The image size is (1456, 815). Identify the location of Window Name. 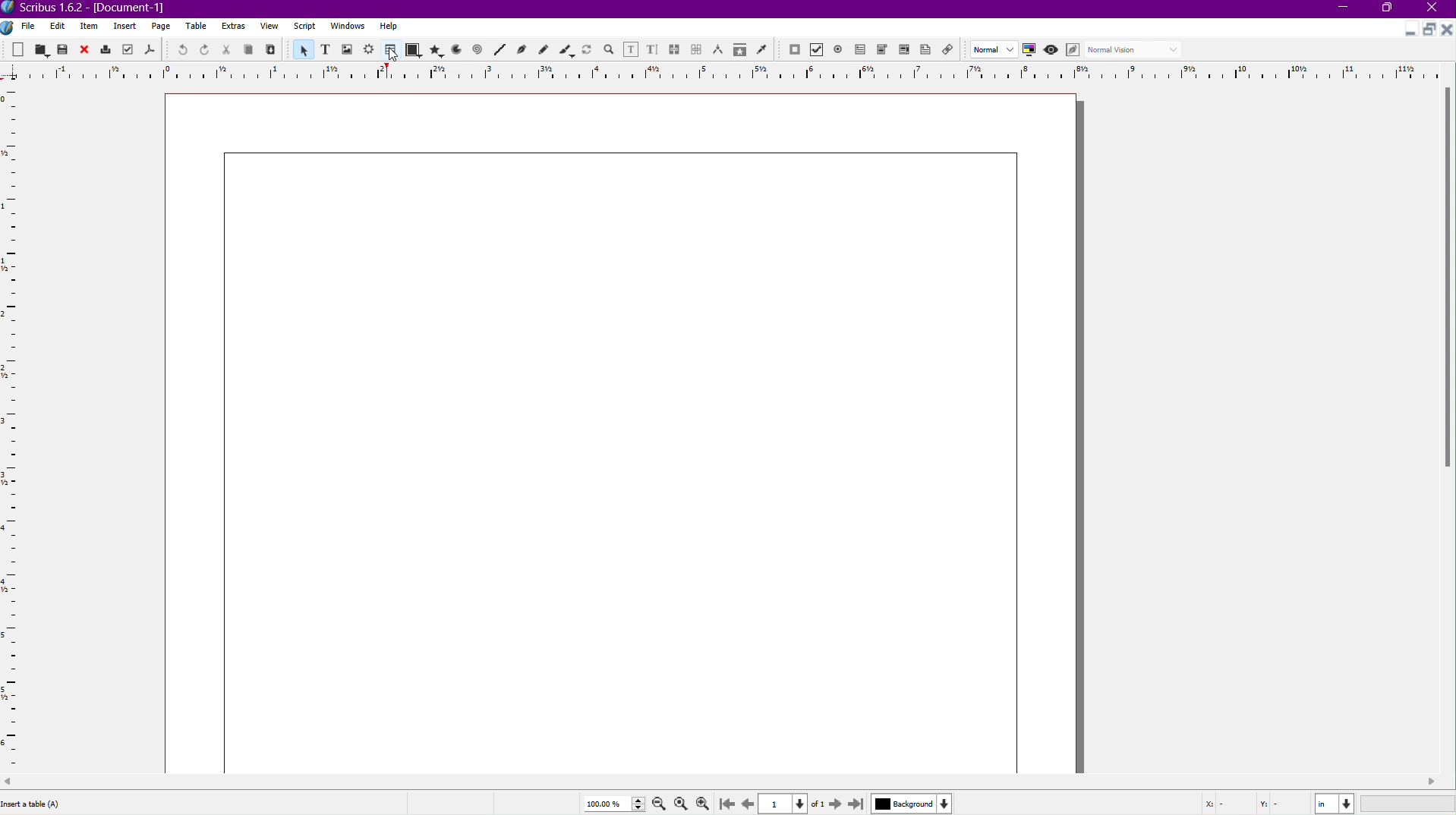
(92, 8).